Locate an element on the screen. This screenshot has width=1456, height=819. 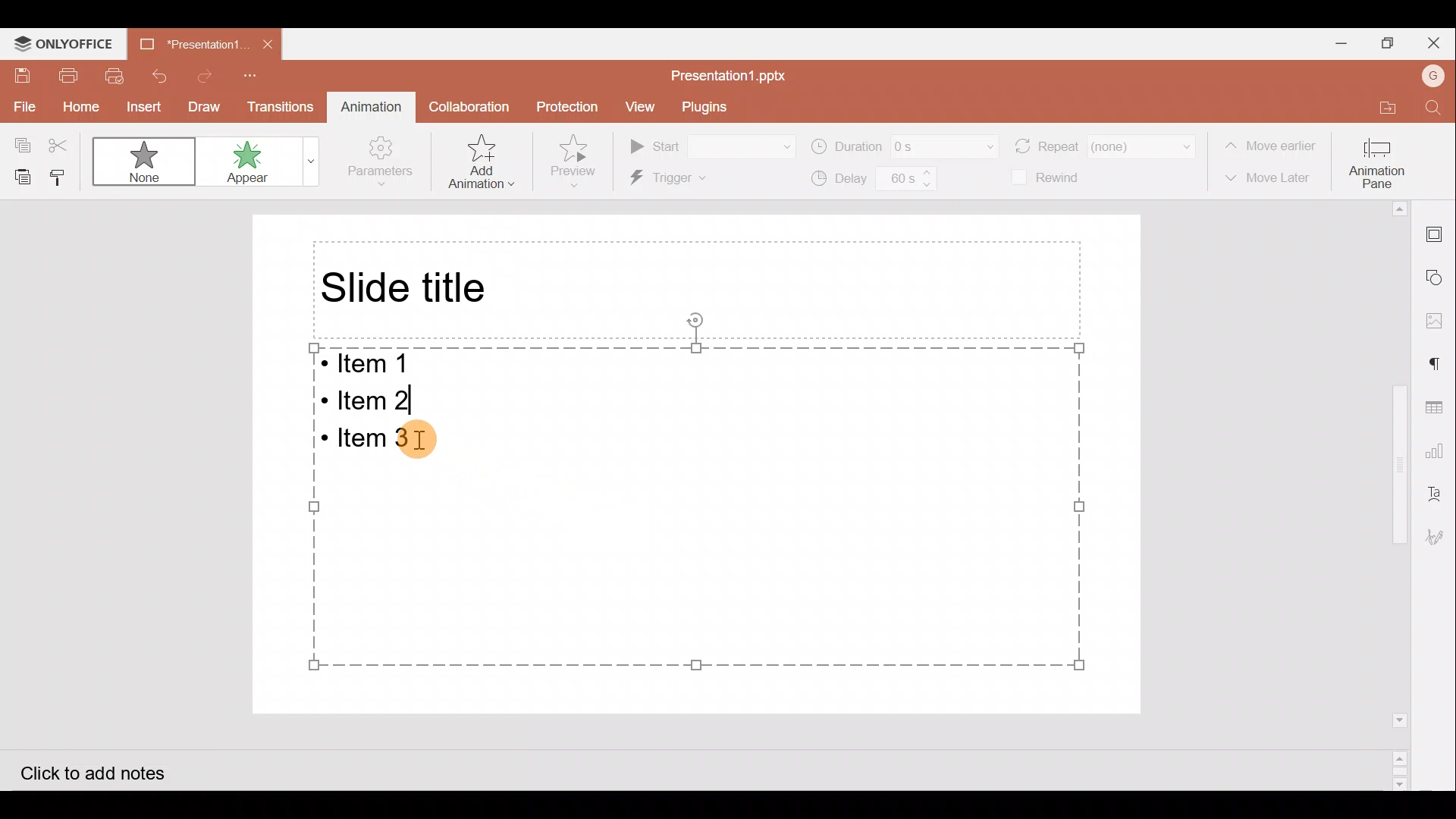
Close document is located at coordinates (264, 42).